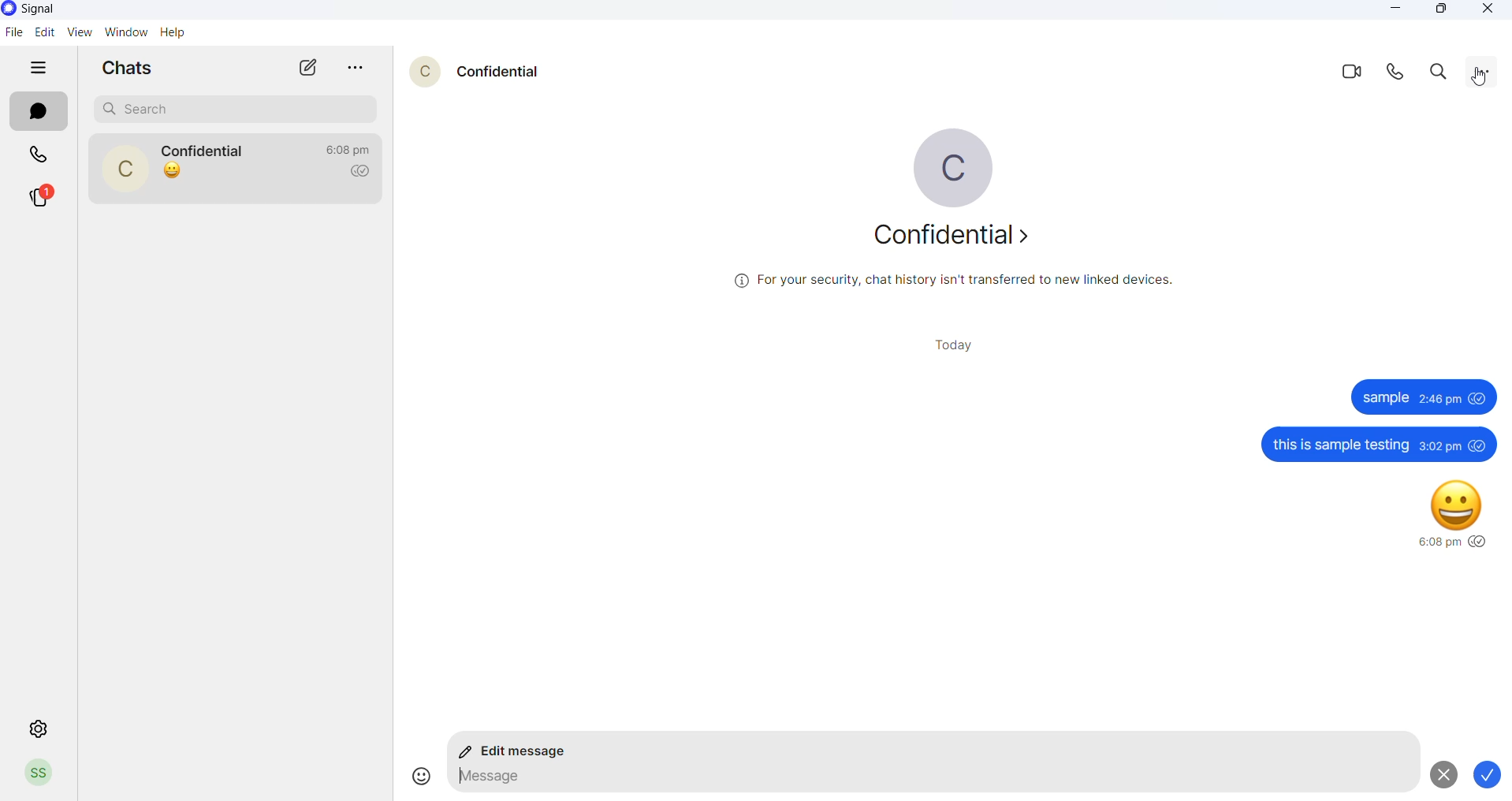  I want to click on chats heading, so click(132, 71).